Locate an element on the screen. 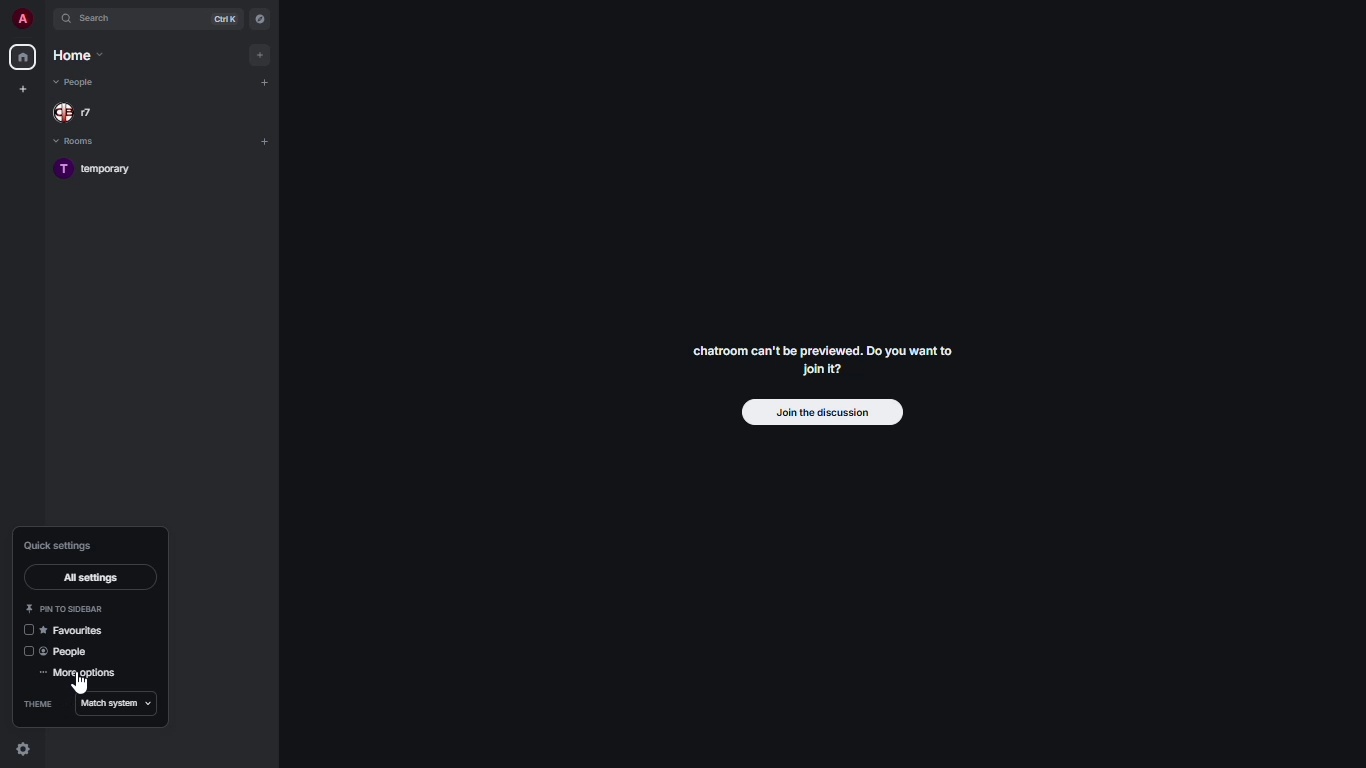 The image size is (1366, 768). ctrl K is located at coordinates (227, 19).